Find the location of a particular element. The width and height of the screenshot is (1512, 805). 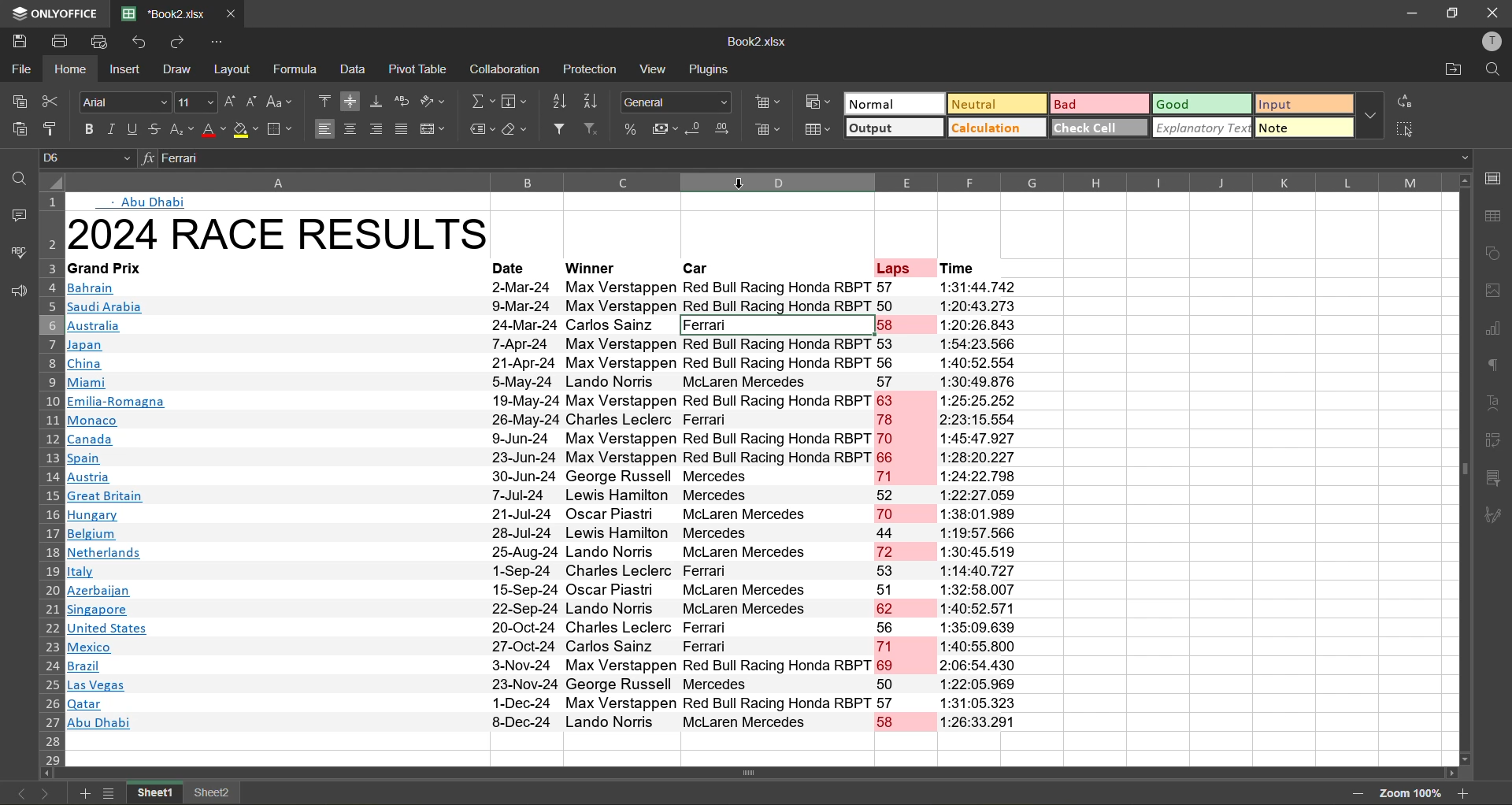

feedback is located at coordinates (15, 292).